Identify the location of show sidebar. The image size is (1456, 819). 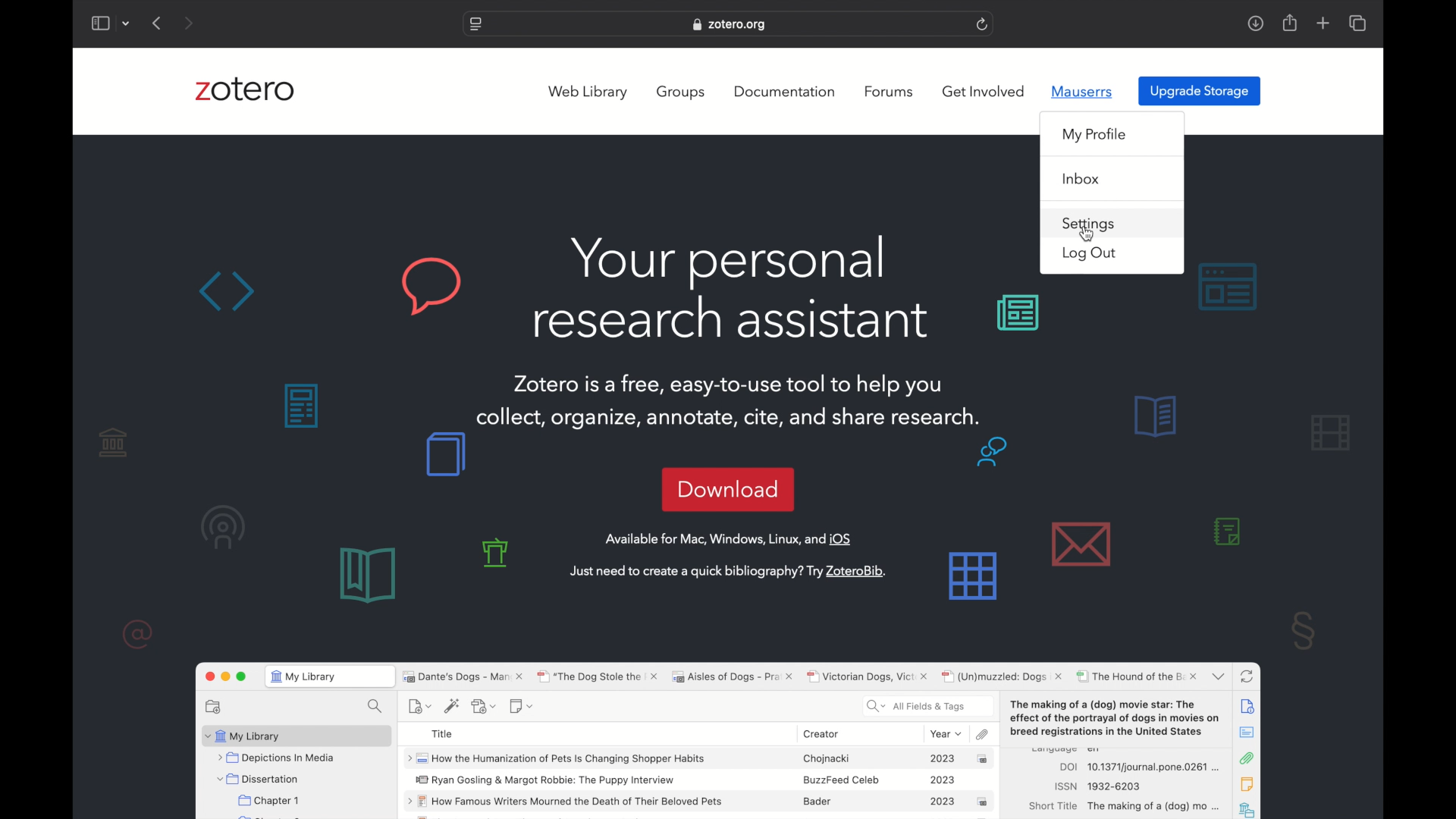
(99, 23).